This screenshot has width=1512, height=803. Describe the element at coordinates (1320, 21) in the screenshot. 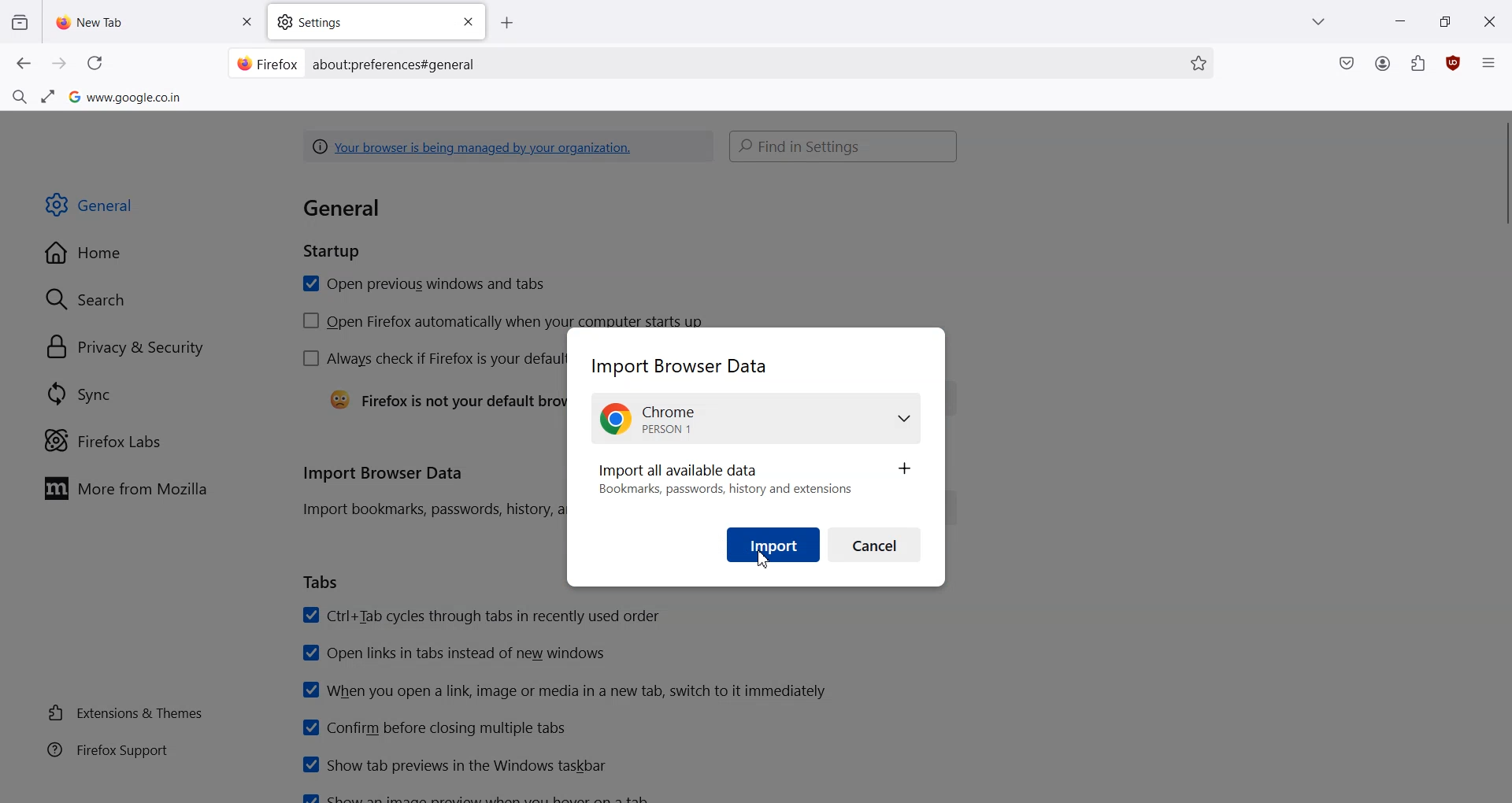

I see `List all tab` at that location.